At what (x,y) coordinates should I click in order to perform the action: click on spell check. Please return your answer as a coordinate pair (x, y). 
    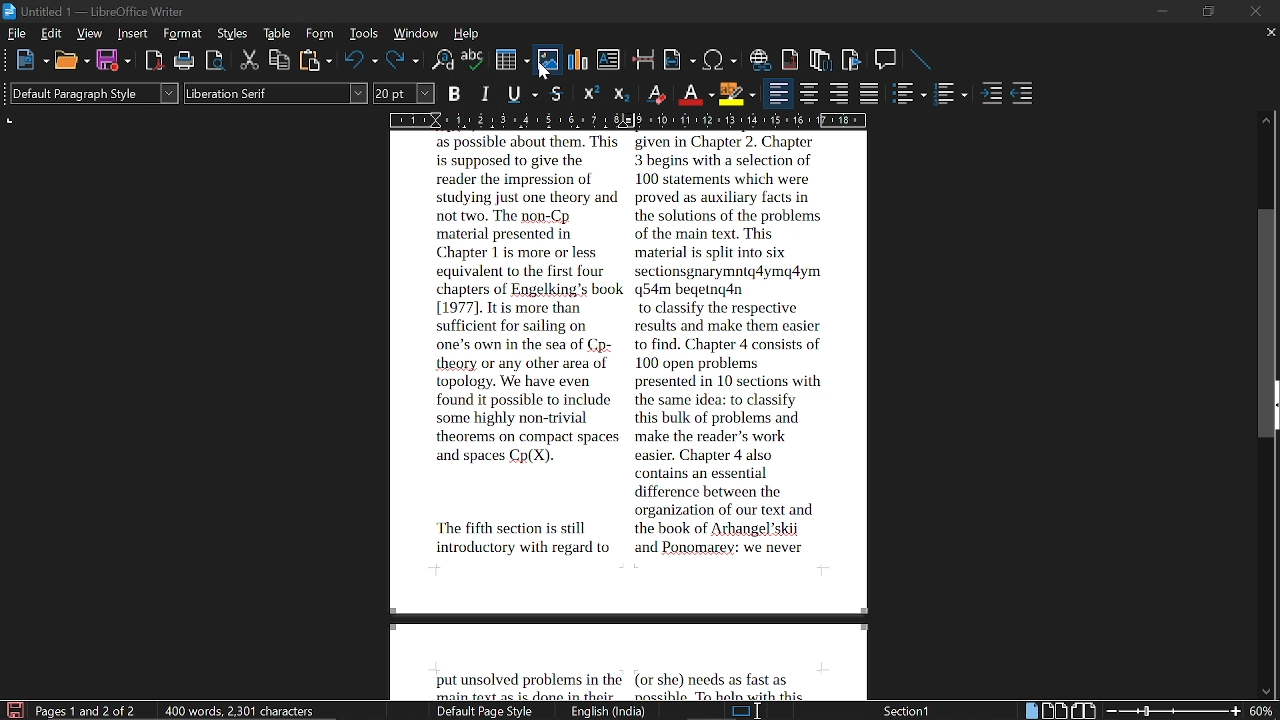
    Looking at the image, I should click on (473, 60).